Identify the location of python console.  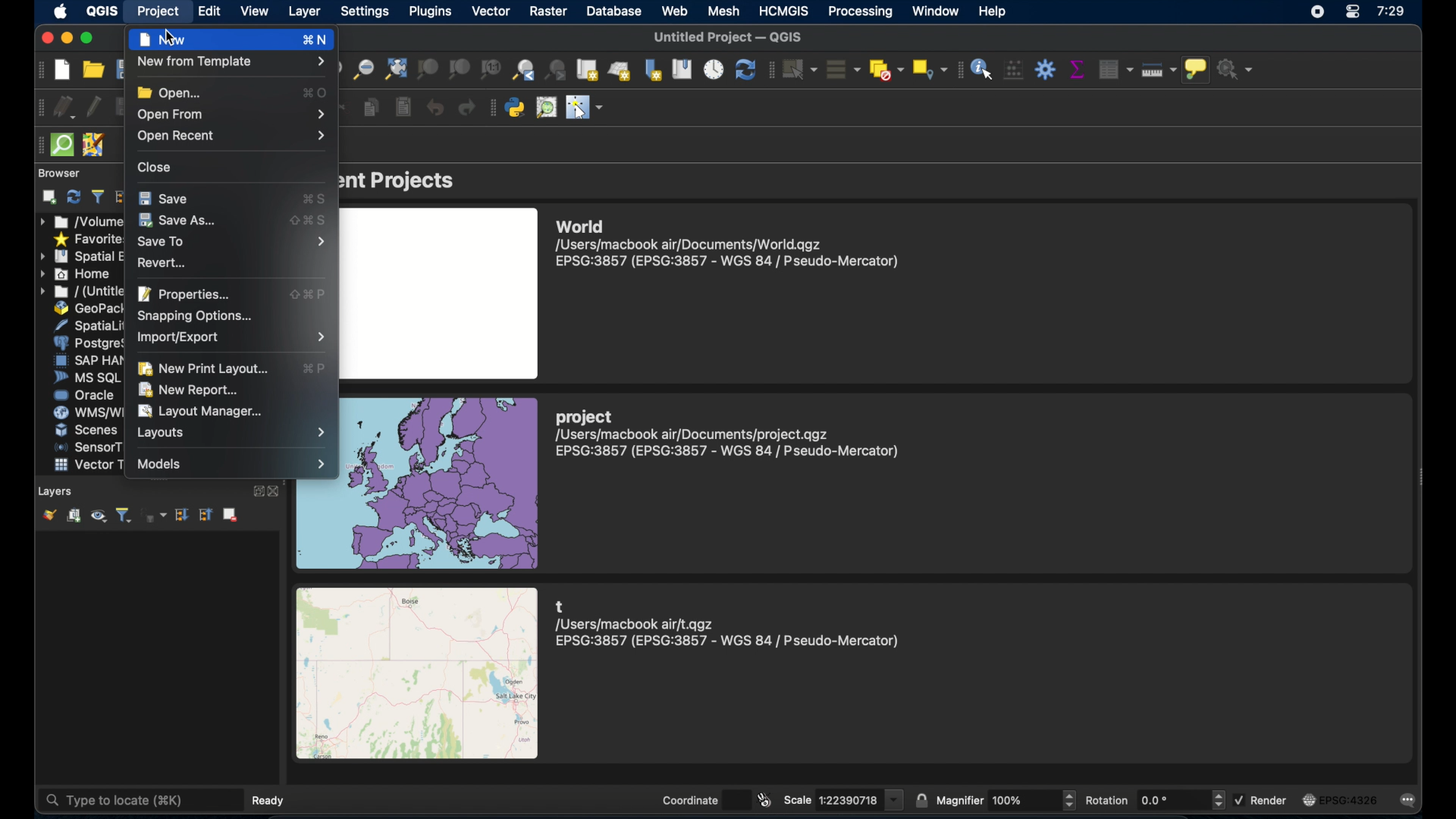
(516, 108).